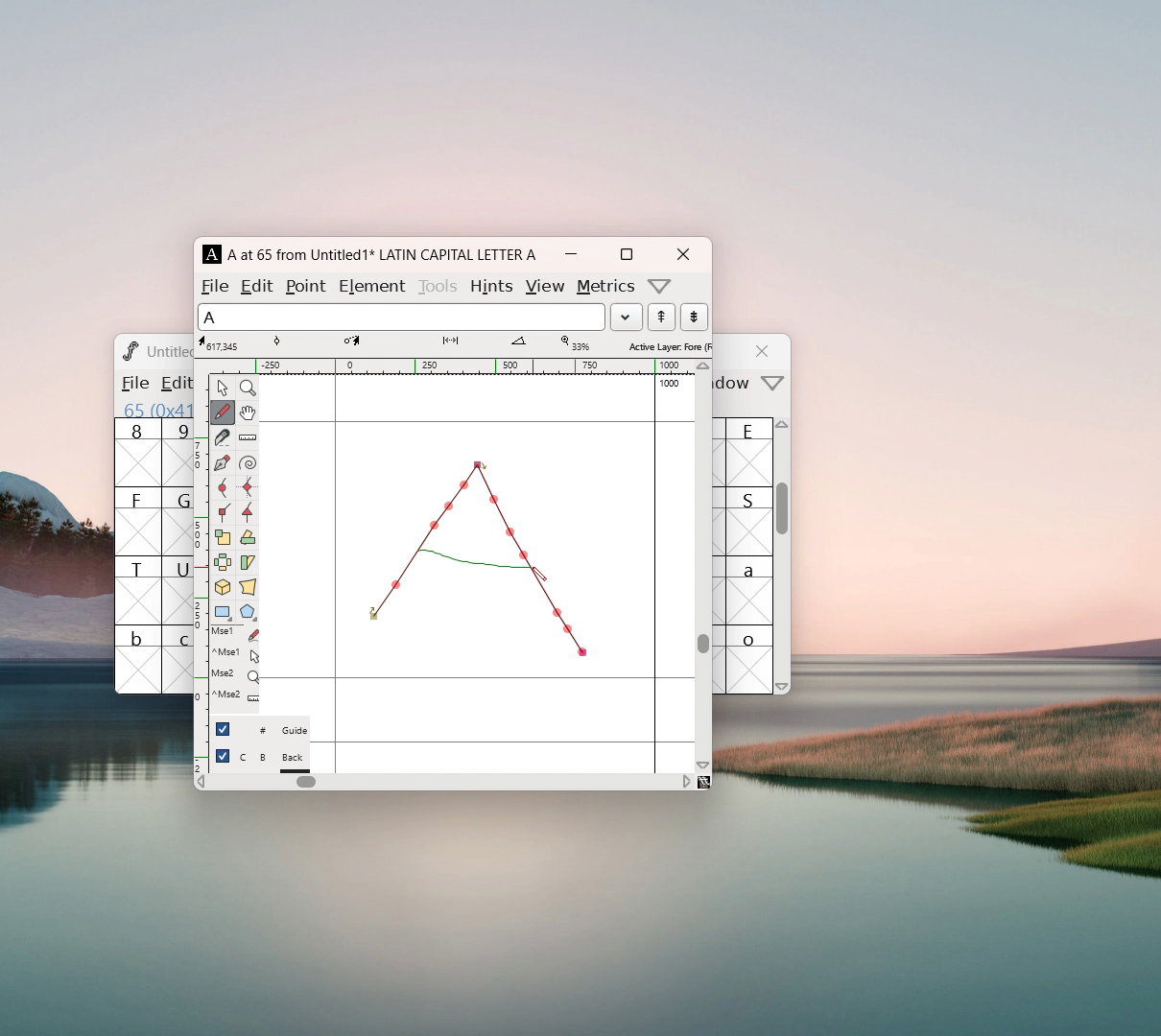  I want to click on mimize, so click(571, 254).